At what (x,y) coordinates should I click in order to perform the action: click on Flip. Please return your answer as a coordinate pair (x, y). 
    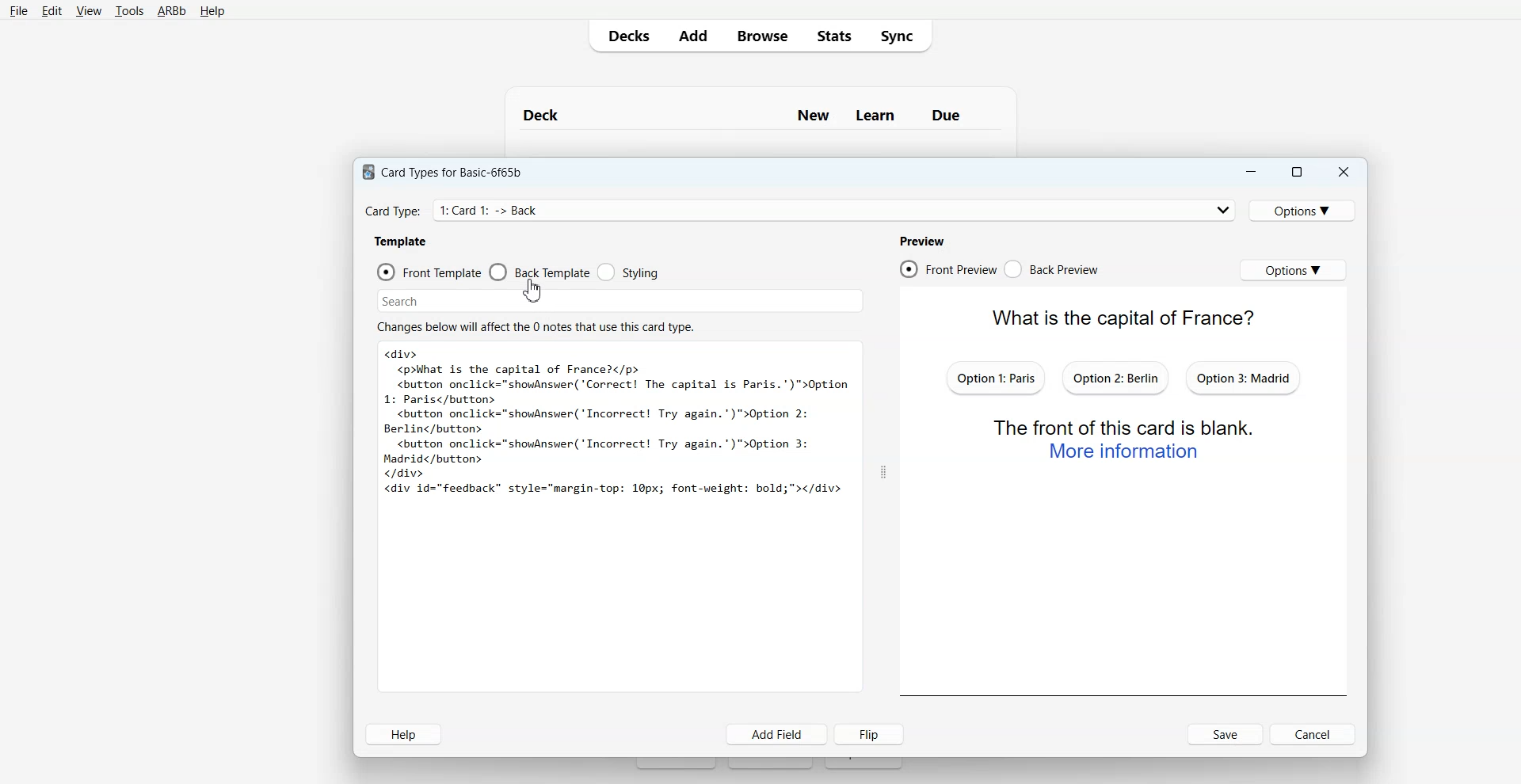
    Looking at the image, I should click on (871, 734).